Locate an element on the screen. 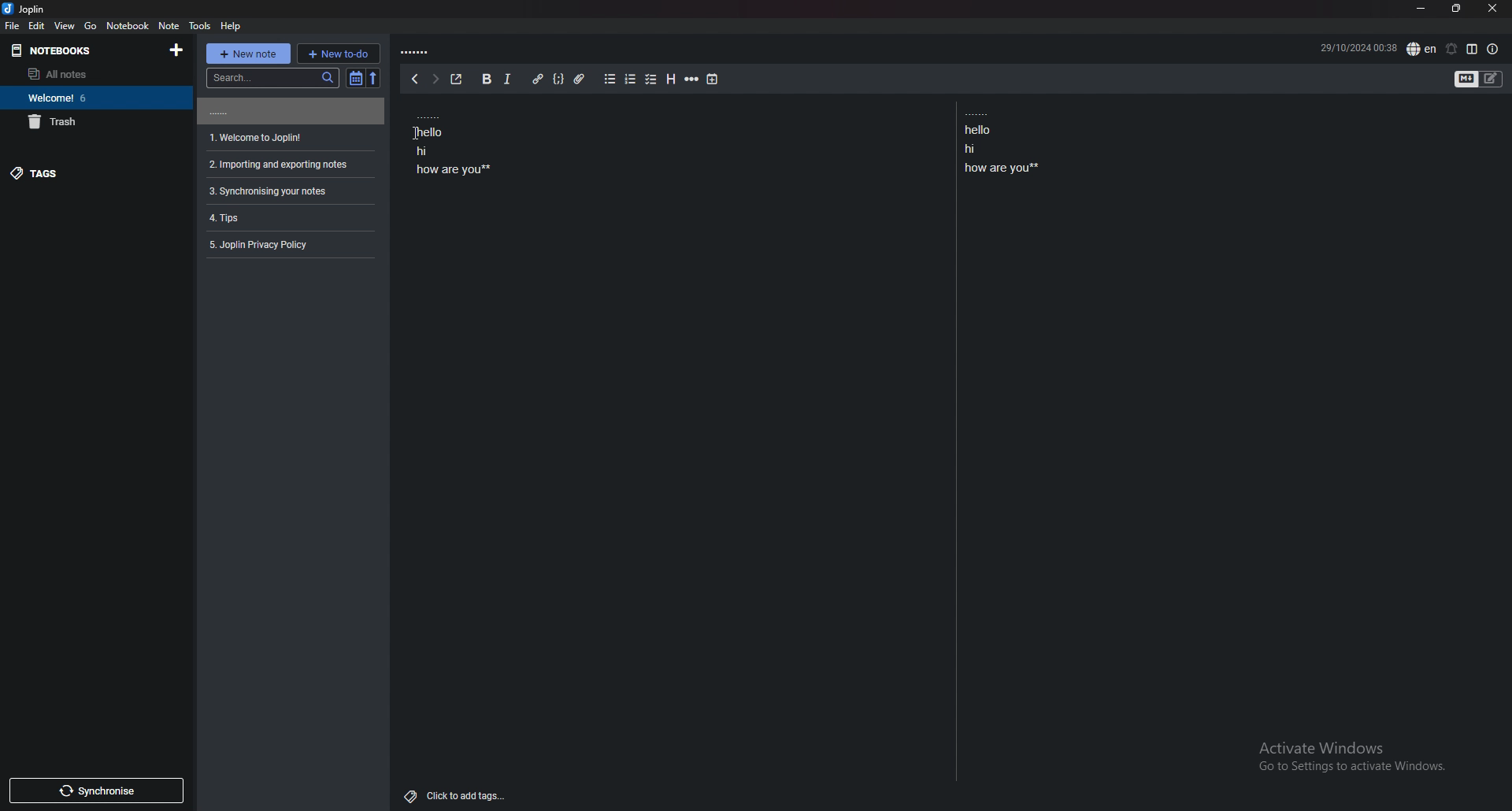 The height and width of the screenshot is (811, 1512). back is located at coordinates (415, 79).